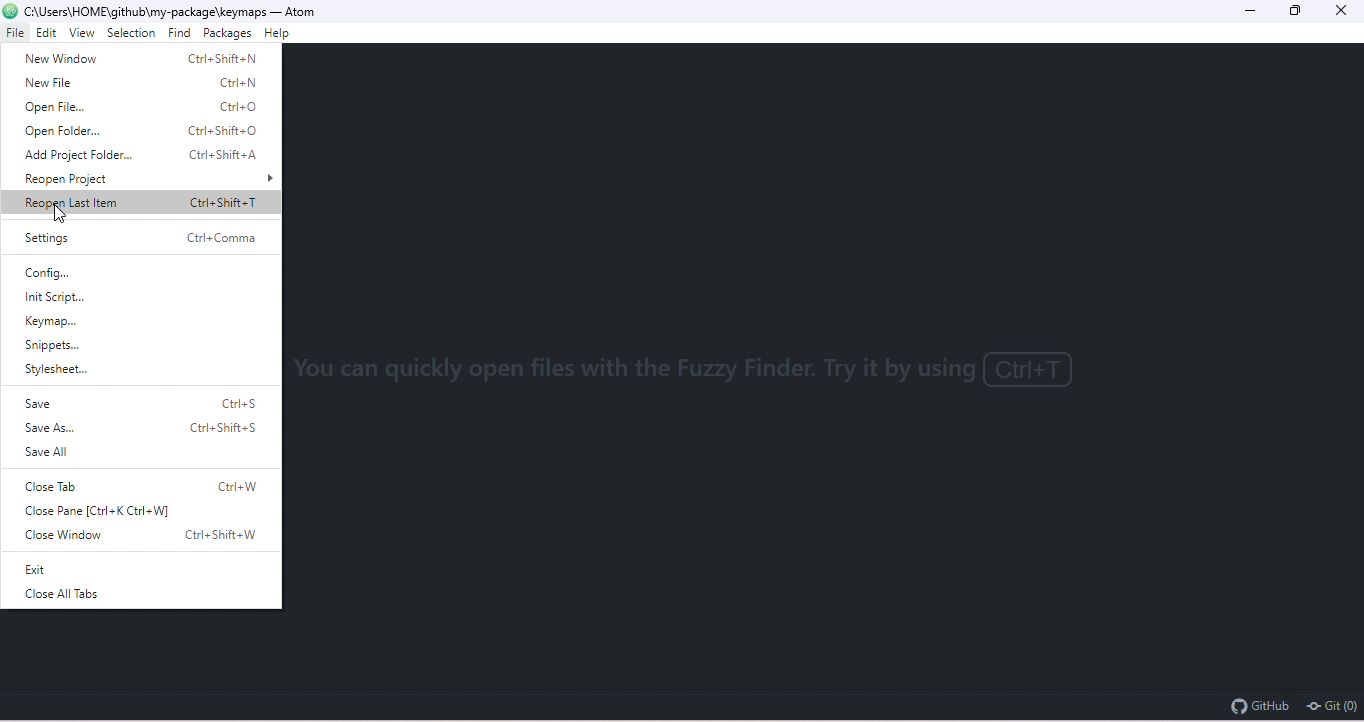  What do you see at coordinates (133, 34) in the screenshot?
I see `selection` at bounding box center [133, 34].